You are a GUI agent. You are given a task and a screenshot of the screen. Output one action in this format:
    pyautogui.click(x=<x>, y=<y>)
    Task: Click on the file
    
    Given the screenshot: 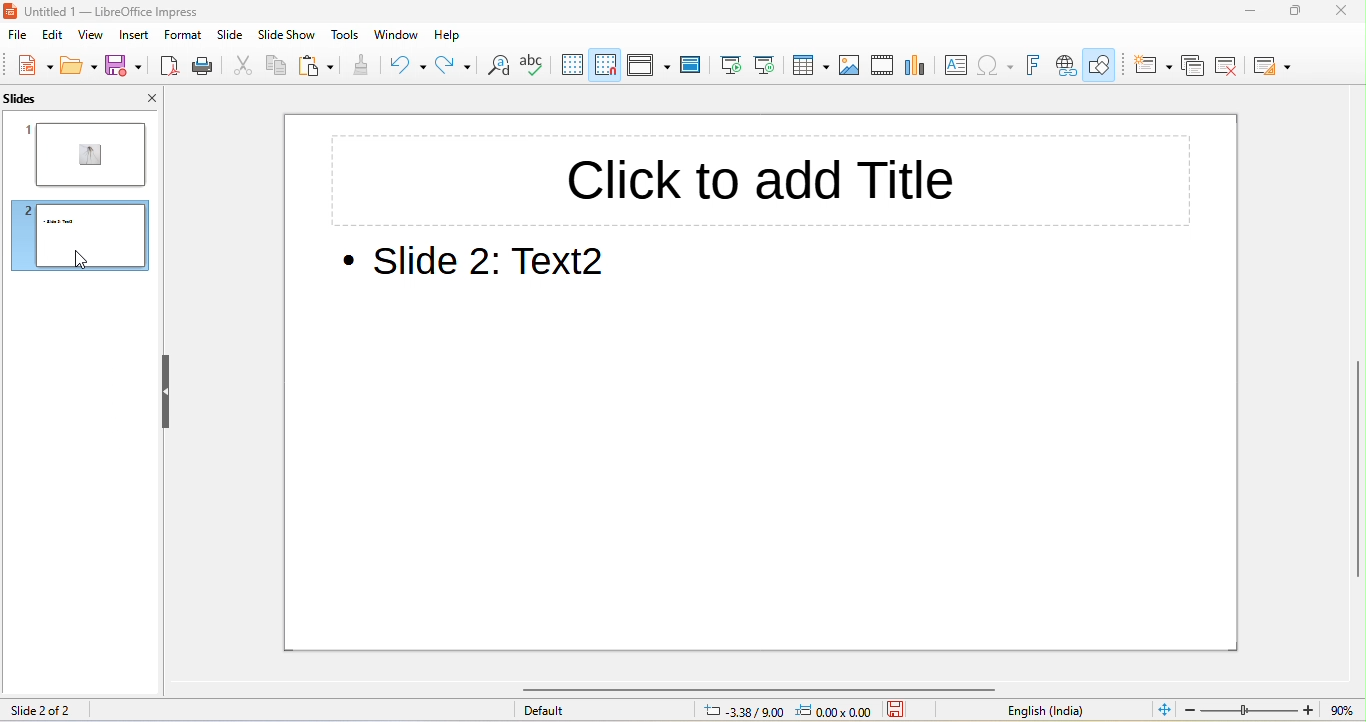 What is the action you would take?
    pyautogui.click(x=16, y=36)
    